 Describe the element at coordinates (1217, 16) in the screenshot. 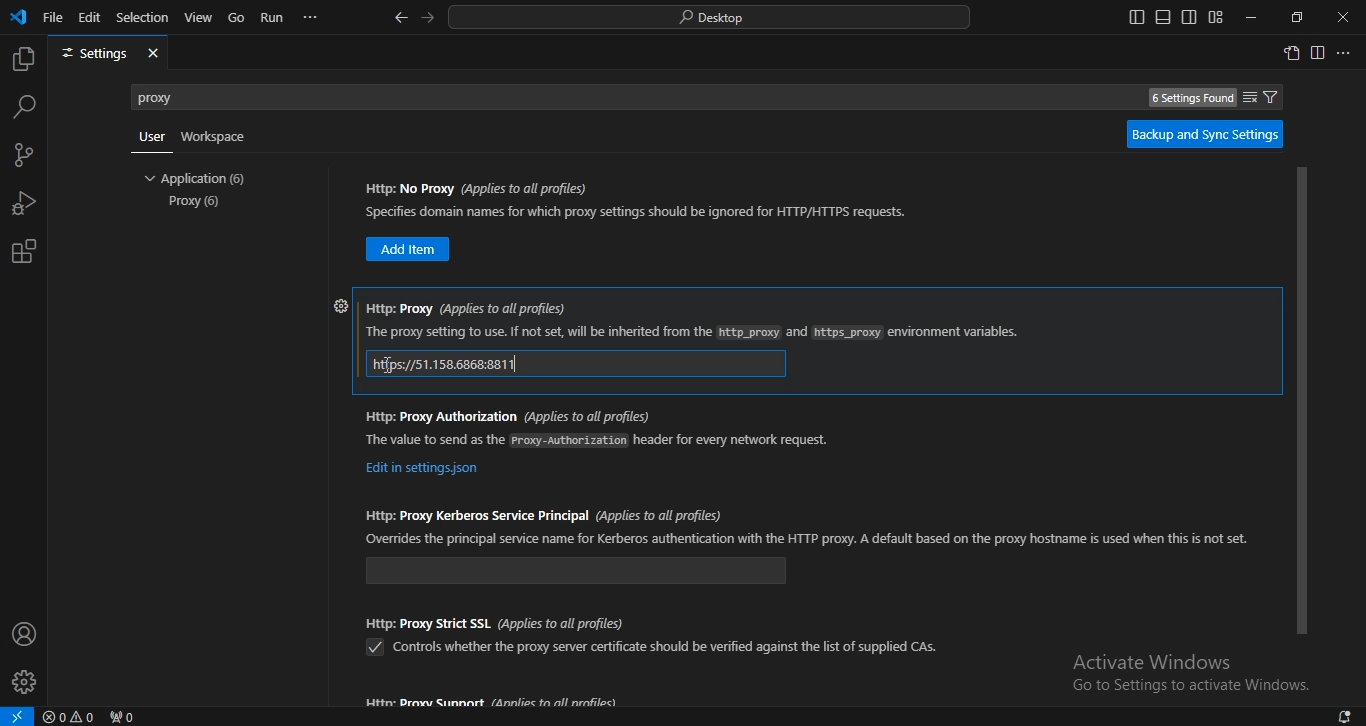

I see `customize layout` at that location.